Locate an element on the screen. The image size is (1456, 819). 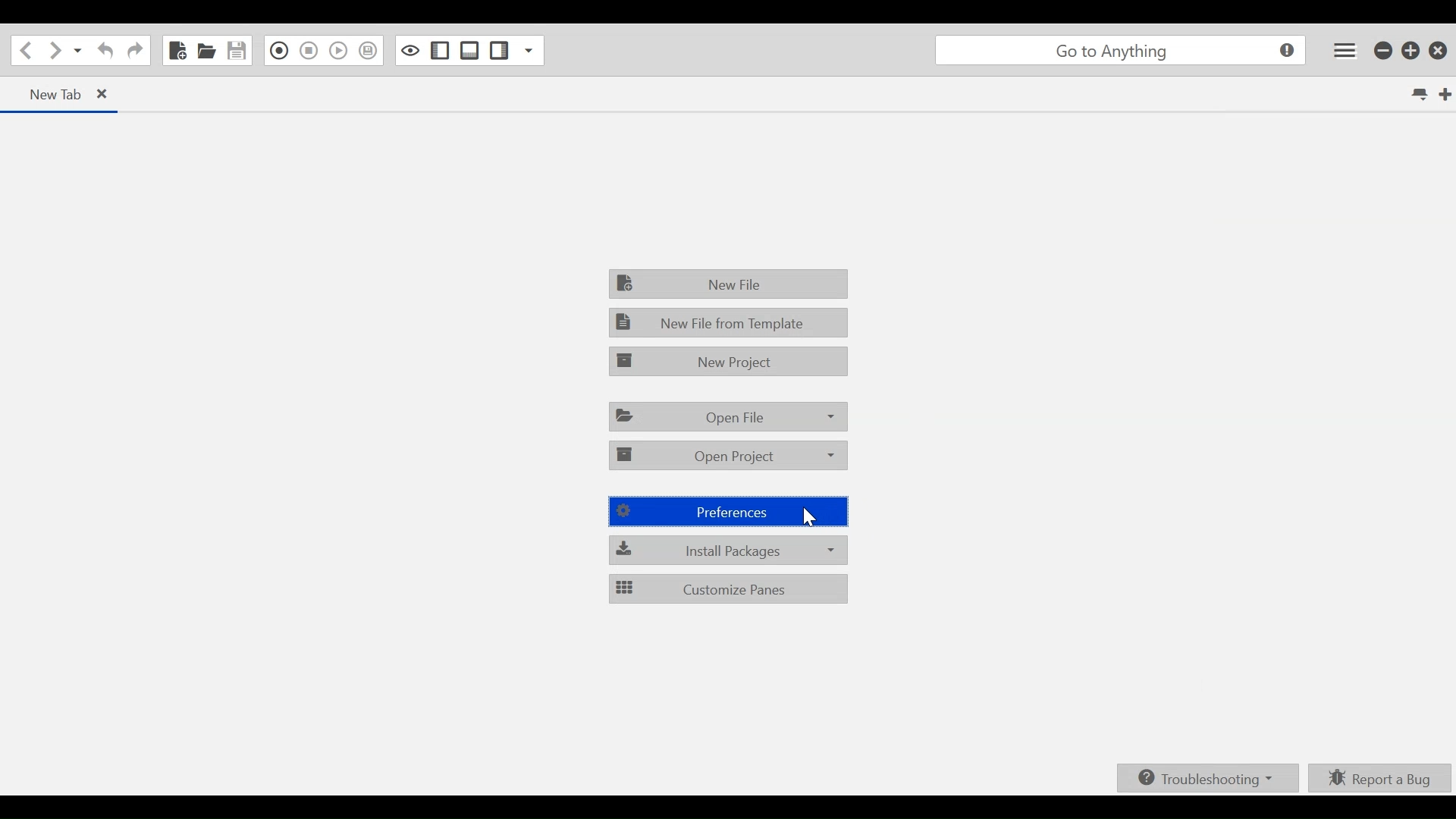
New Project  is located at coordinates (727, 360).